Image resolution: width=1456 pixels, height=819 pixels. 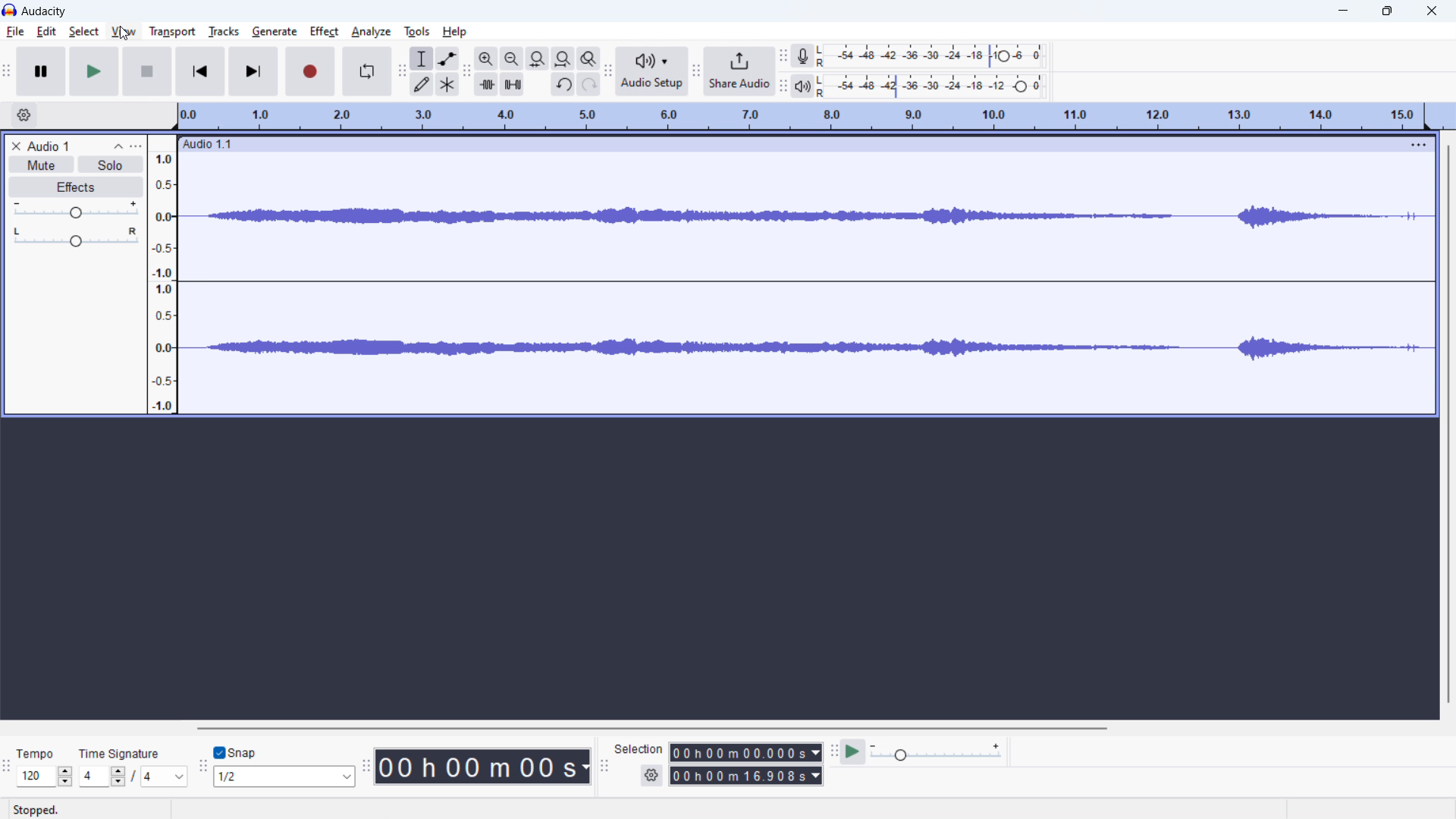 What do you see at coordinates (49, 146) in the screenshot?
I see `project title` at bounding box center [49, 146].